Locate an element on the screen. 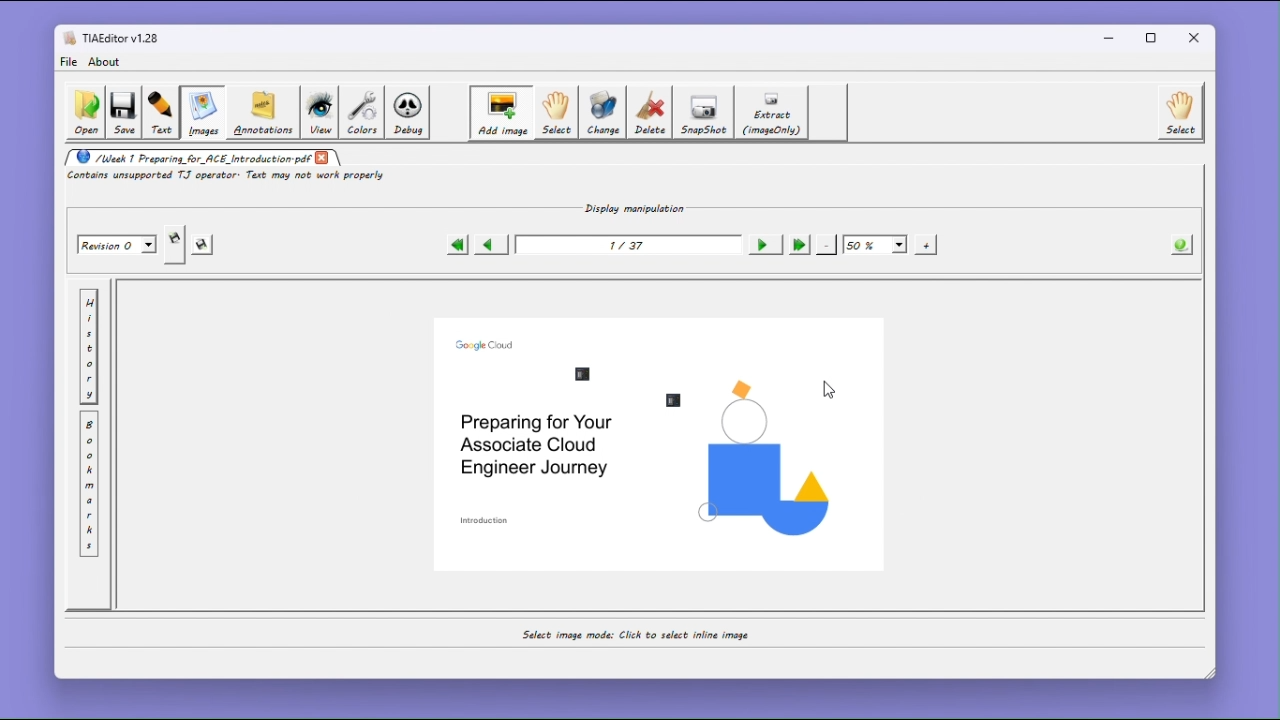  Extract (image only) is located at coordinates (773, 113).